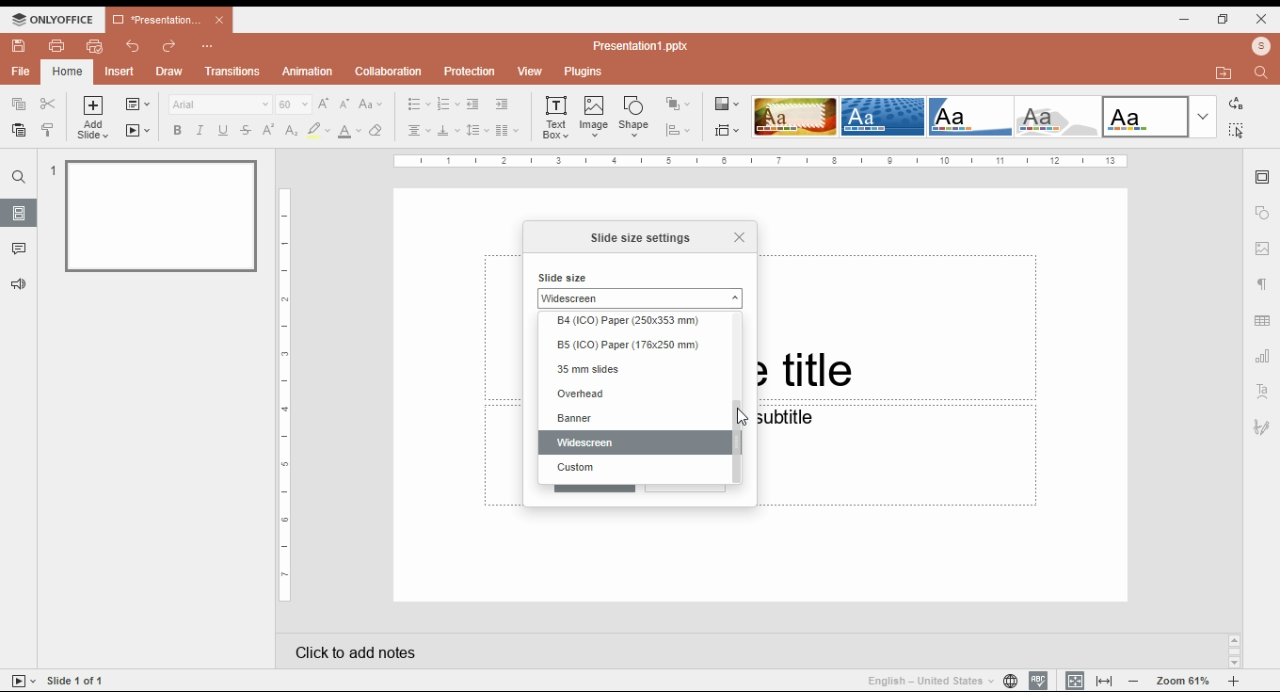 Image resolution: width=1280 pixels, height=692 pixels. Describe the element at coordinates (19, 249) in the screenshot. I see `comments` at that location.